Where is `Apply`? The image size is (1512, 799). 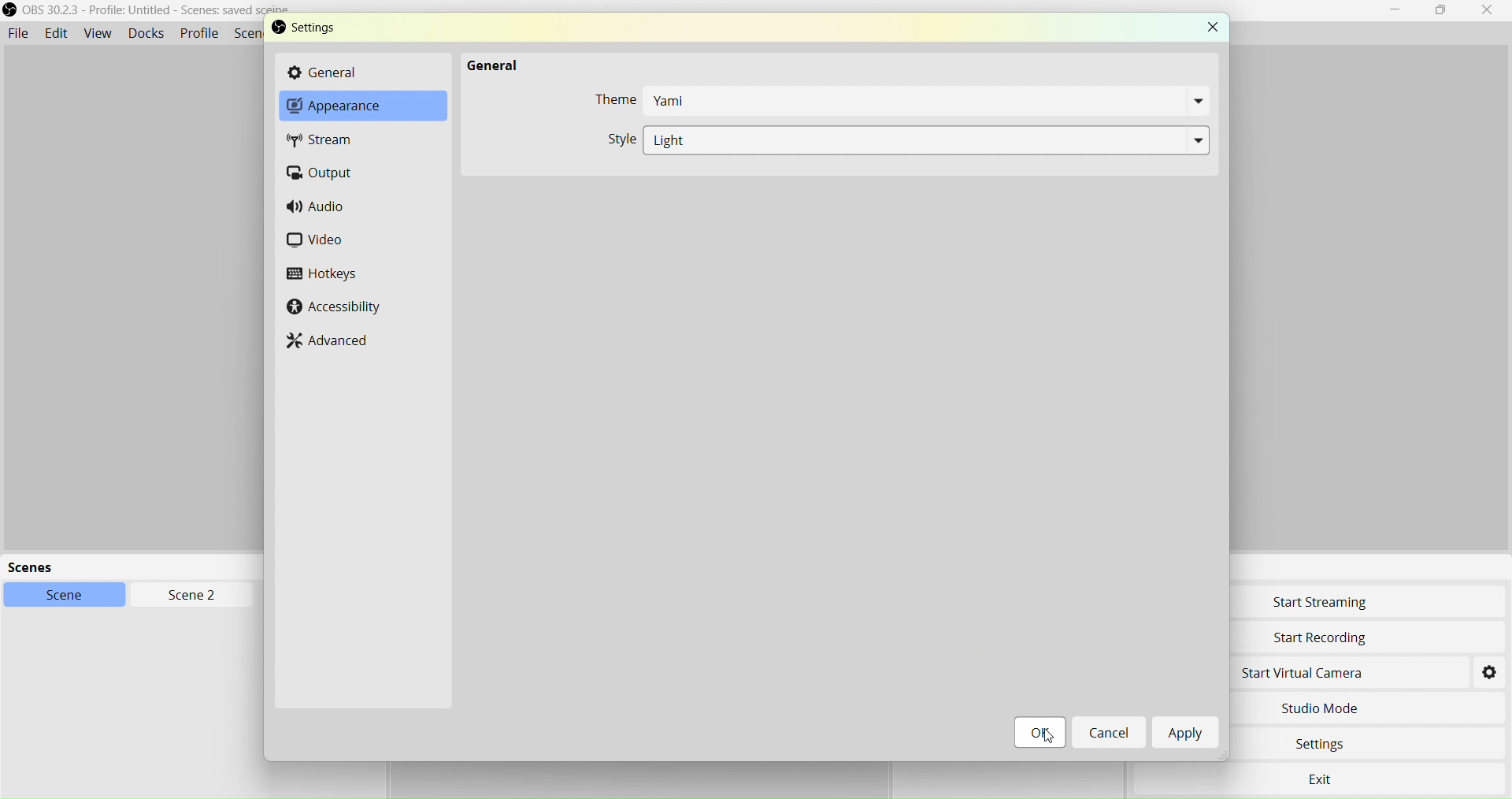
Apply is located at coordinates (1188, 735).